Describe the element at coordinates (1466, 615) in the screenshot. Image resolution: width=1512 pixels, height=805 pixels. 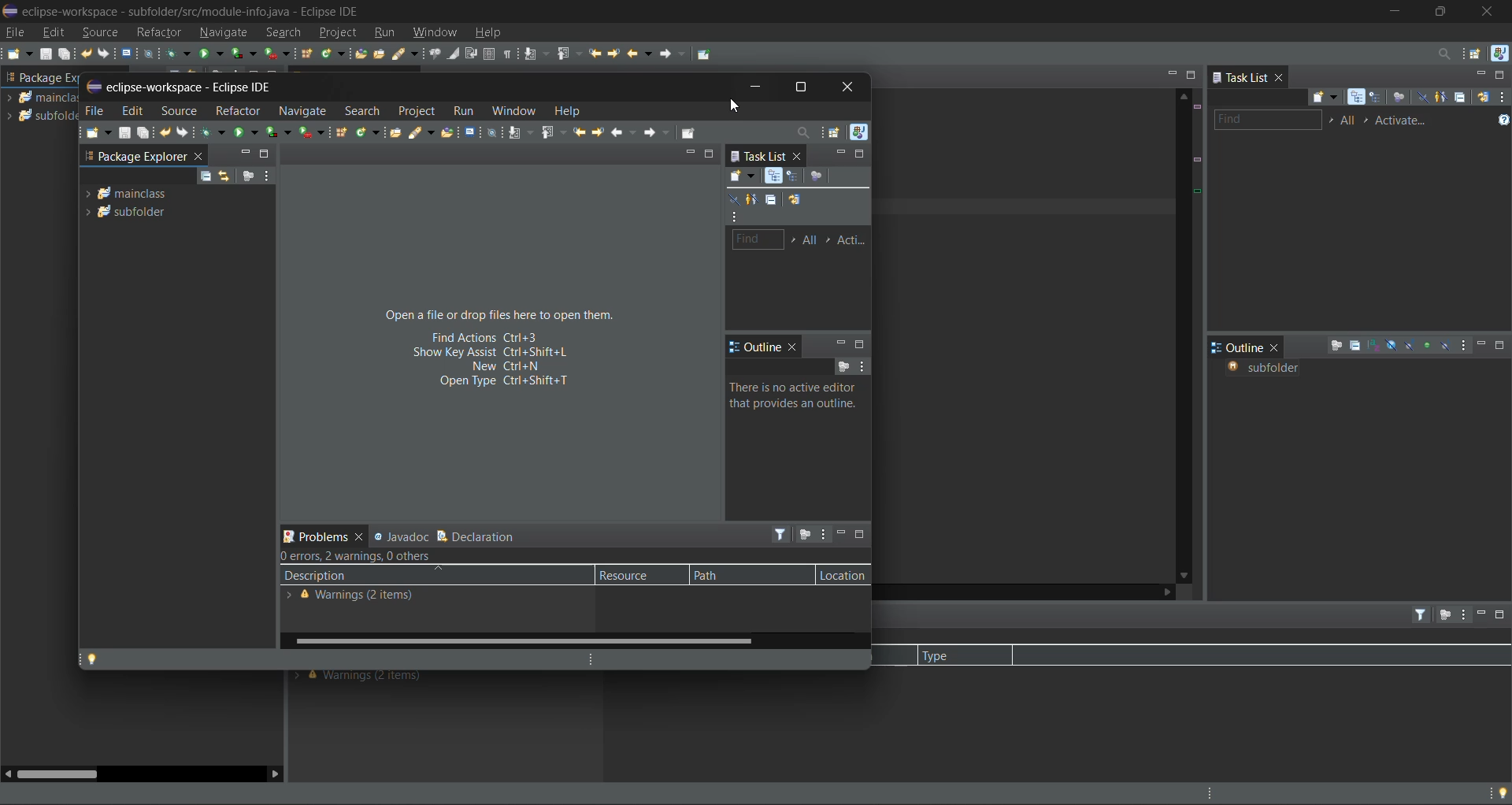
I see `view menu` at that location.